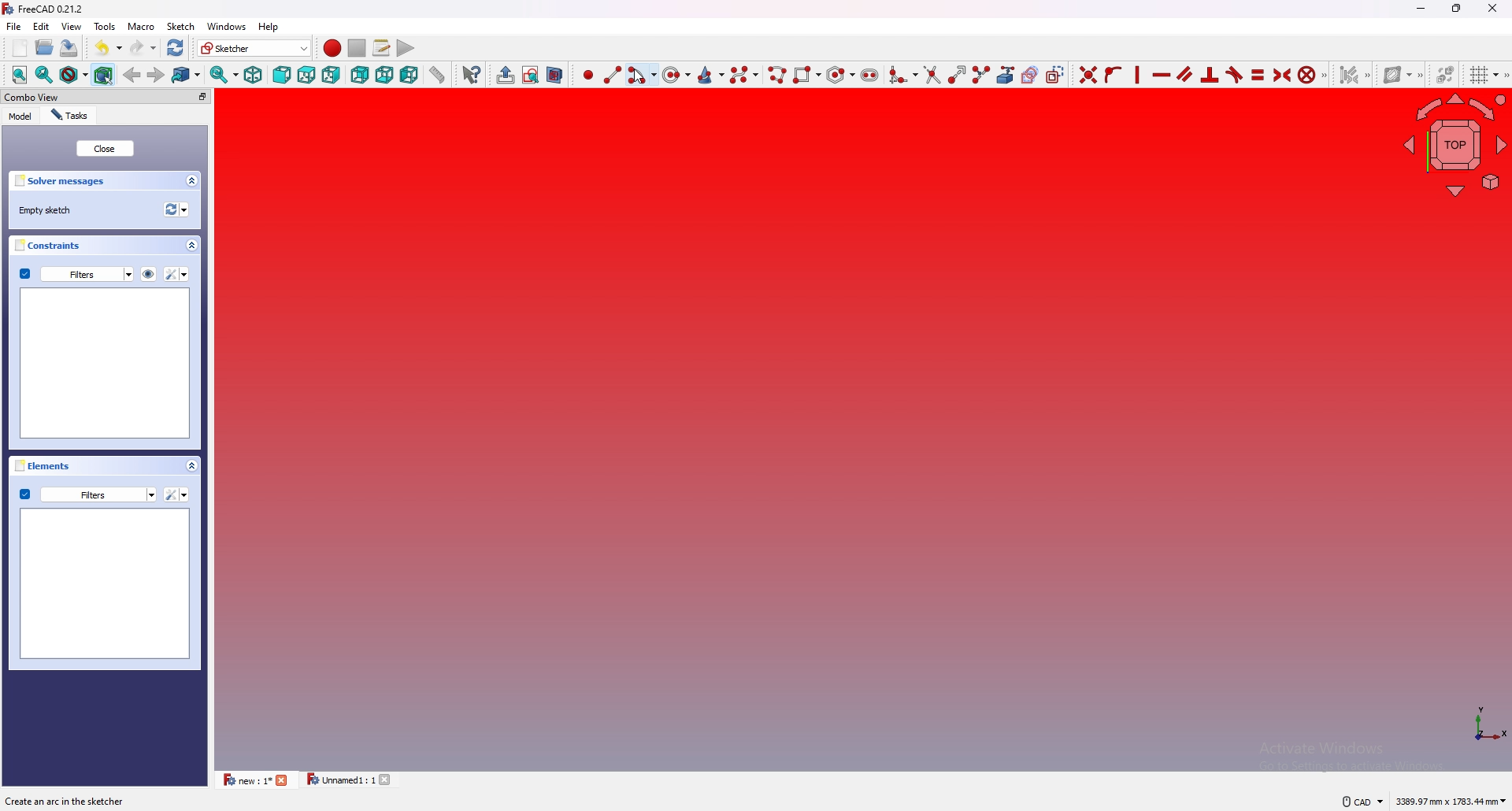  I want to click on constraint horizontally, so click(1162, 75).